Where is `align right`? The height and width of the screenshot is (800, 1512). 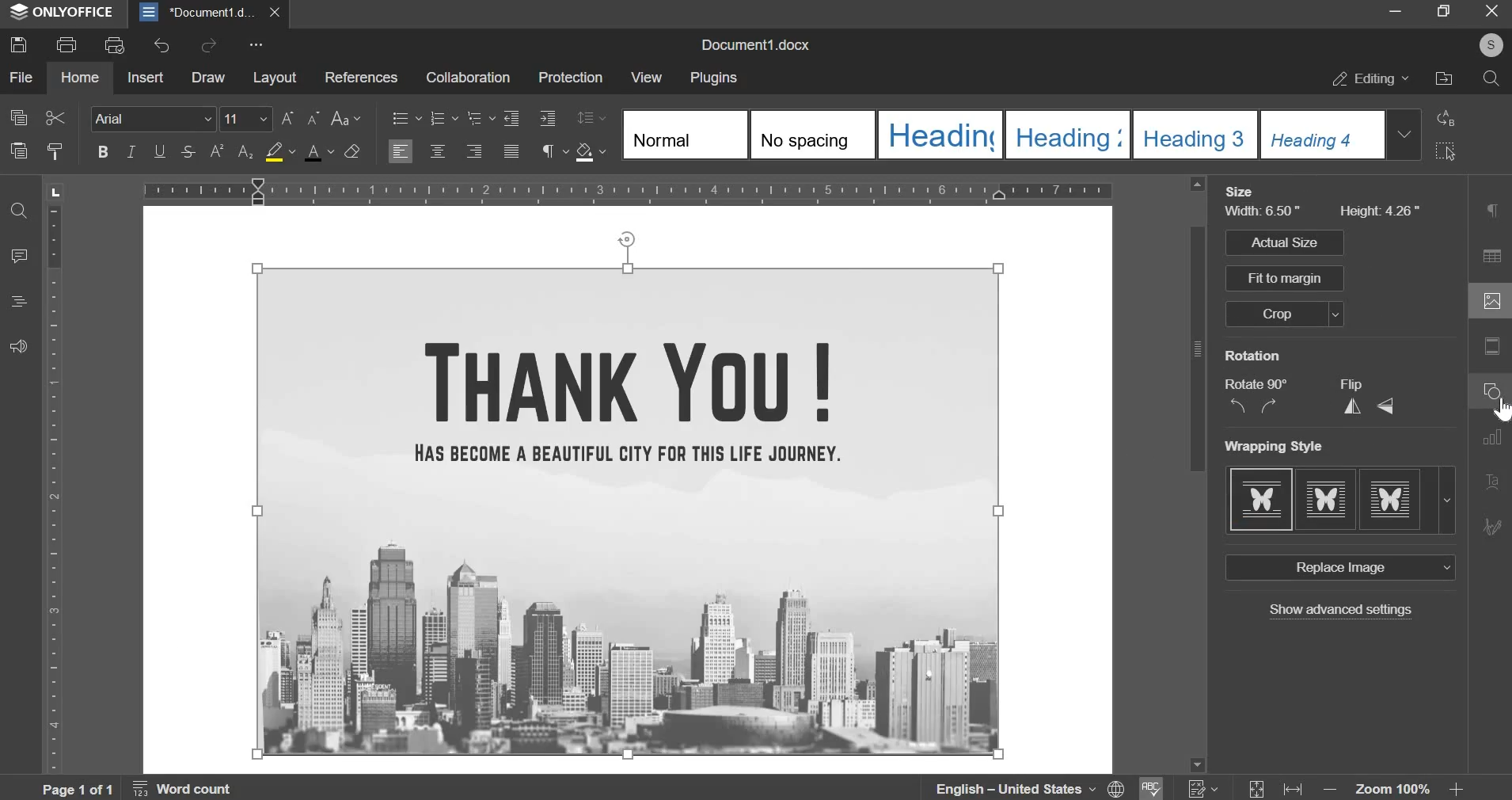
align right is located at coordinates (476, 149).